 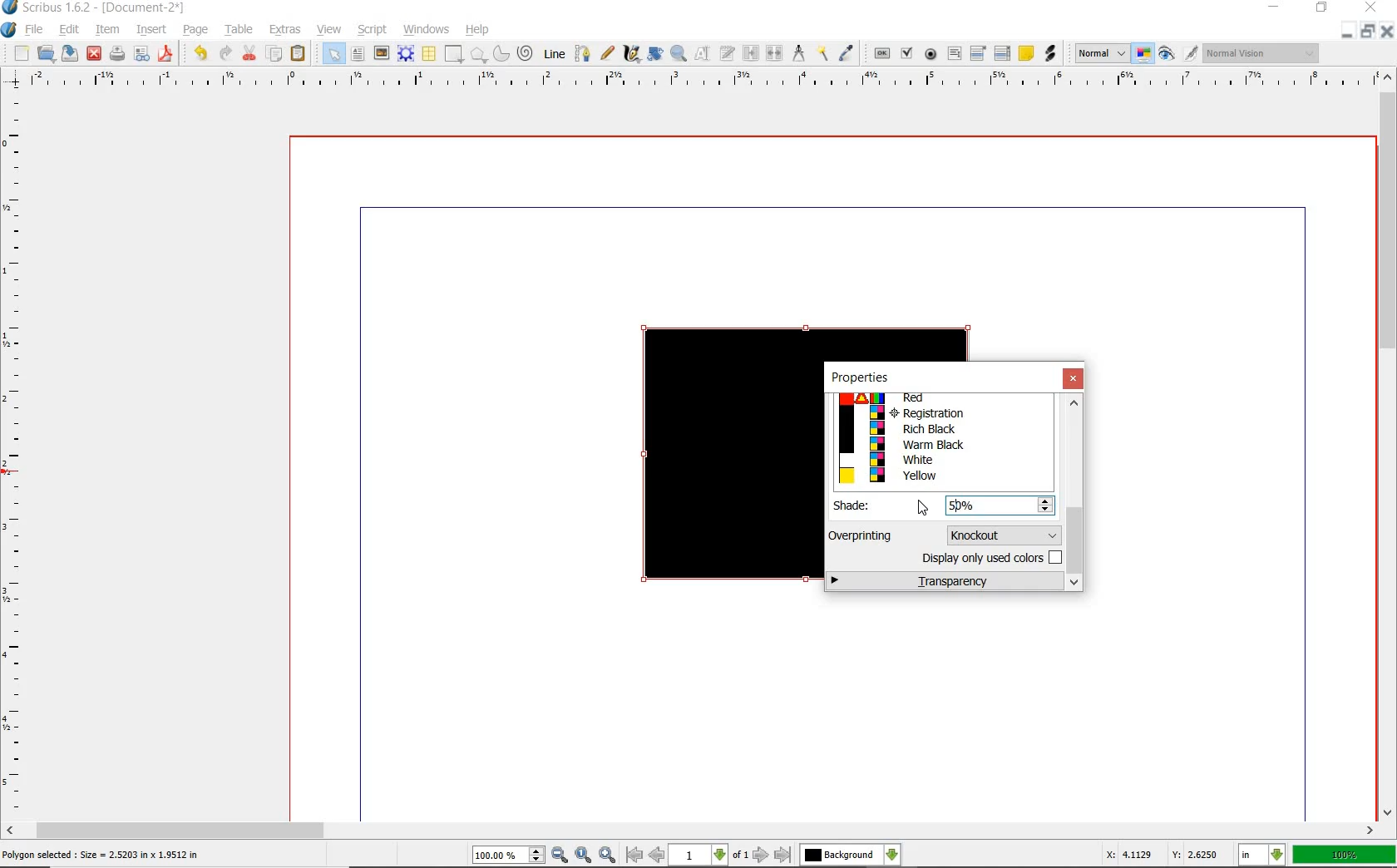 I want to click on edit in preview mode, so click(x=1190, y=53).